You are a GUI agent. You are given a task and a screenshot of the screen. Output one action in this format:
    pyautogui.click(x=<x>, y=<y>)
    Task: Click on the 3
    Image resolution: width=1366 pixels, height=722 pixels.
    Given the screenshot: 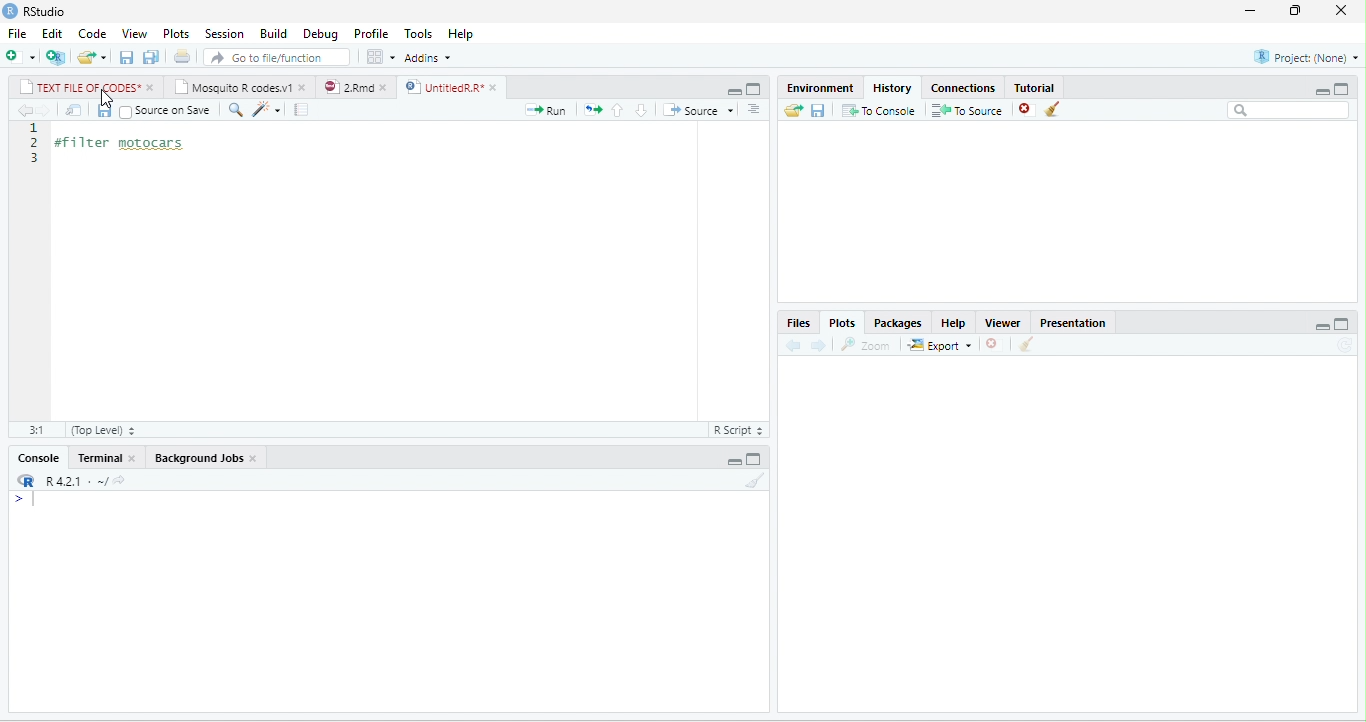 What is the action you would take?
    pyautogui.click(x=36, y=158)
    